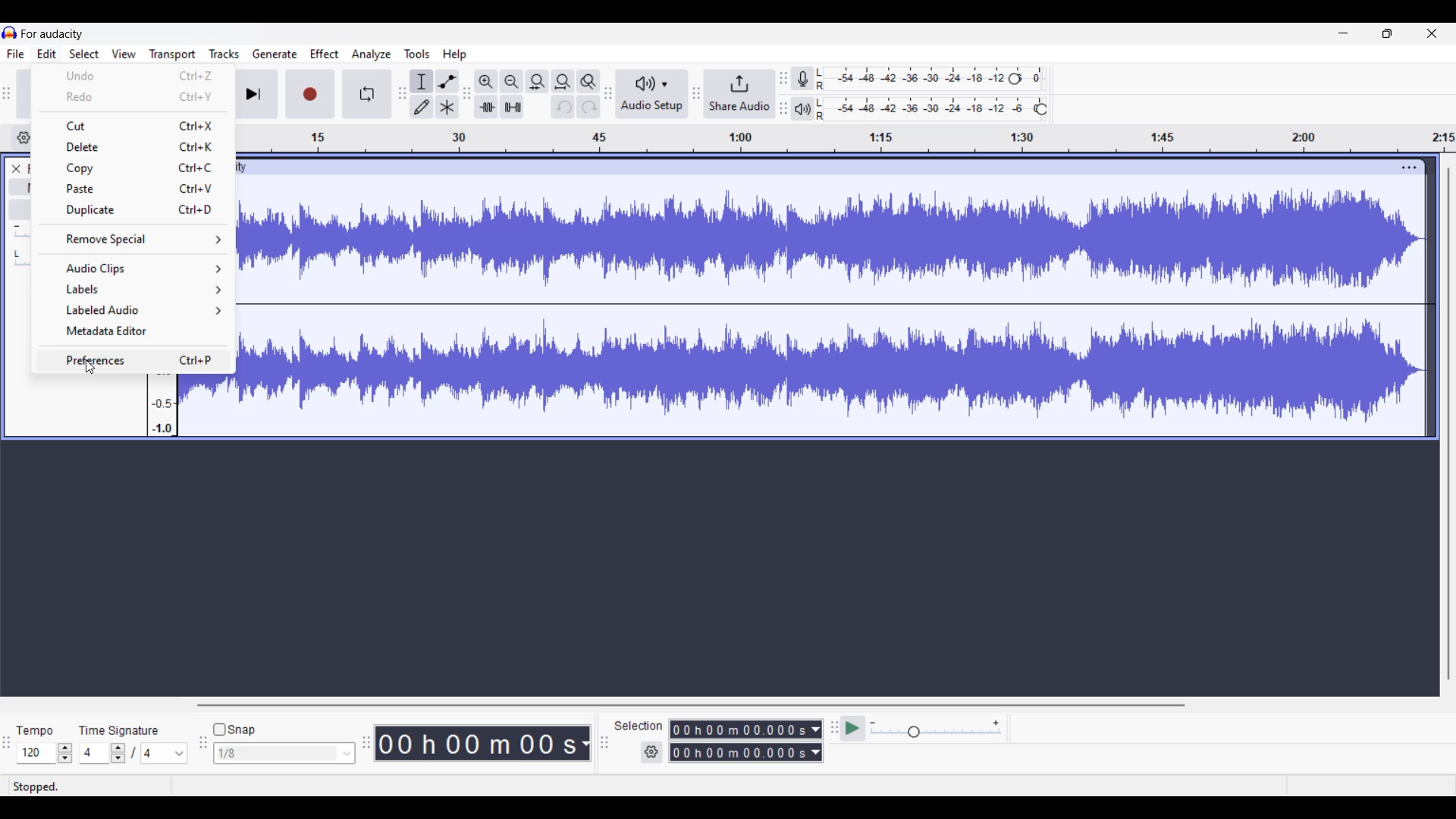 Image resolution: width=1456 pixels, height=819 pixels. I want to click on Scale to measure intensity of waves in track, so click(162, 403).